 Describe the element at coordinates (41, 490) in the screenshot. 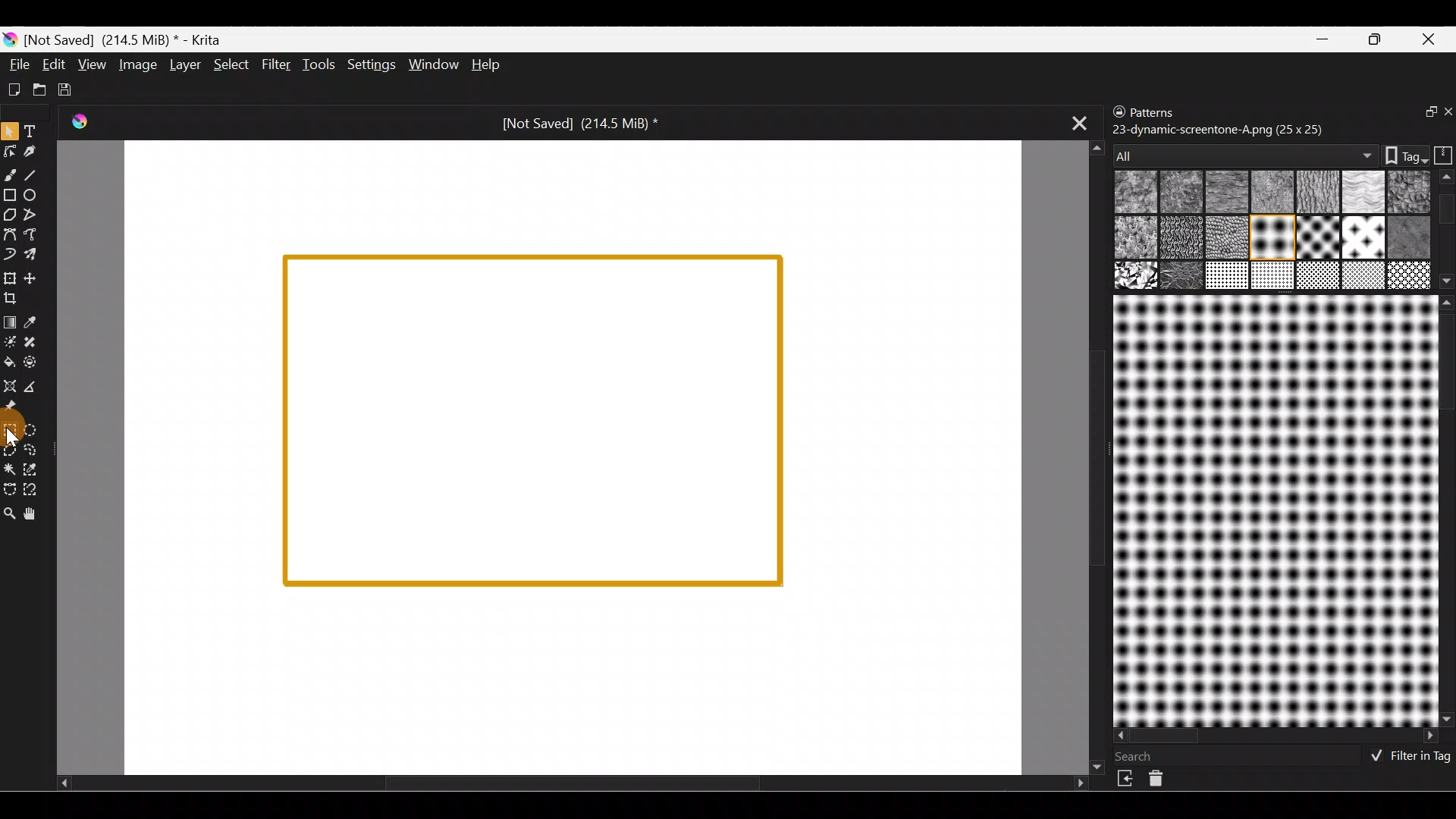

I see `Magnetic curve selection tool` at that location.